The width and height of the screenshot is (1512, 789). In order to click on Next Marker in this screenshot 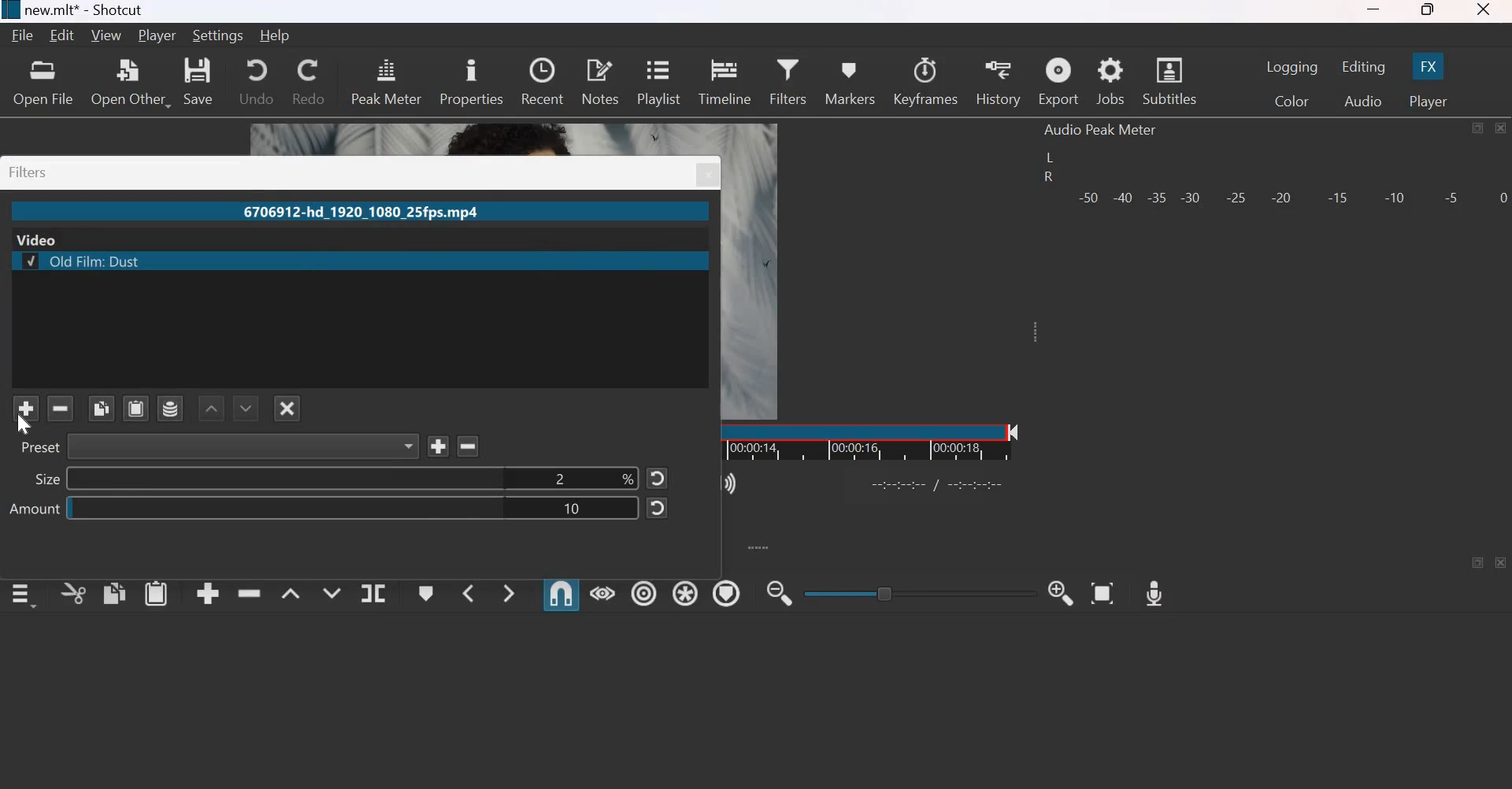, I will do `click(509, 593)`.